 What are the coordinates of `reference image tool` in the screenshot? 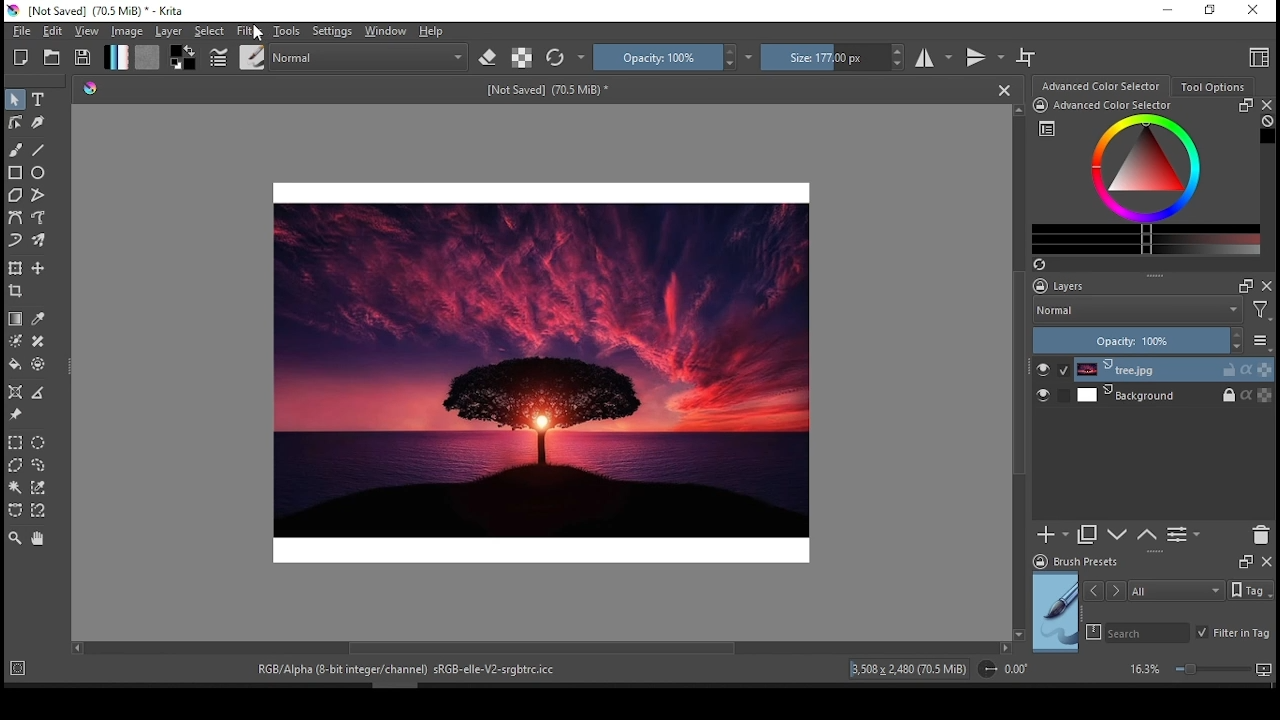 It's located at (15, 413).